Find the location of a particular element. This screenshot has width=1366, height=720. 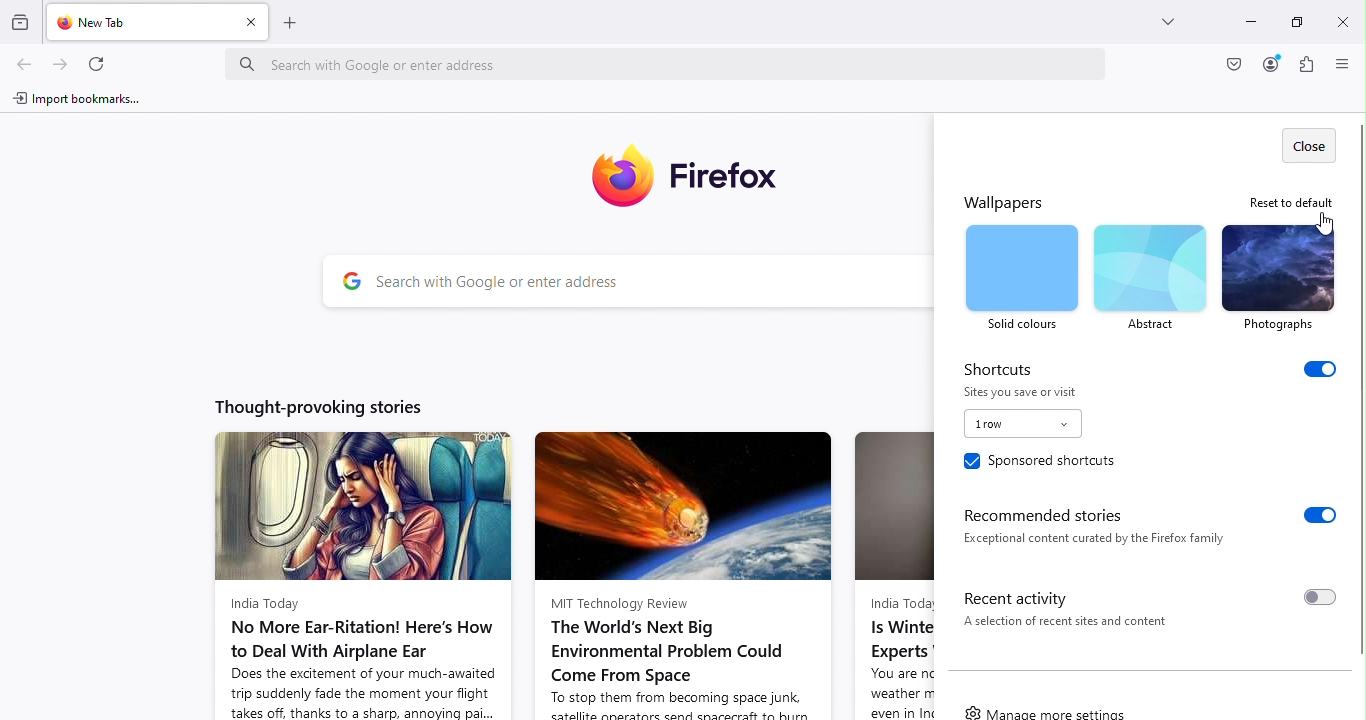

Close tab is located at coordinates (252, 28).